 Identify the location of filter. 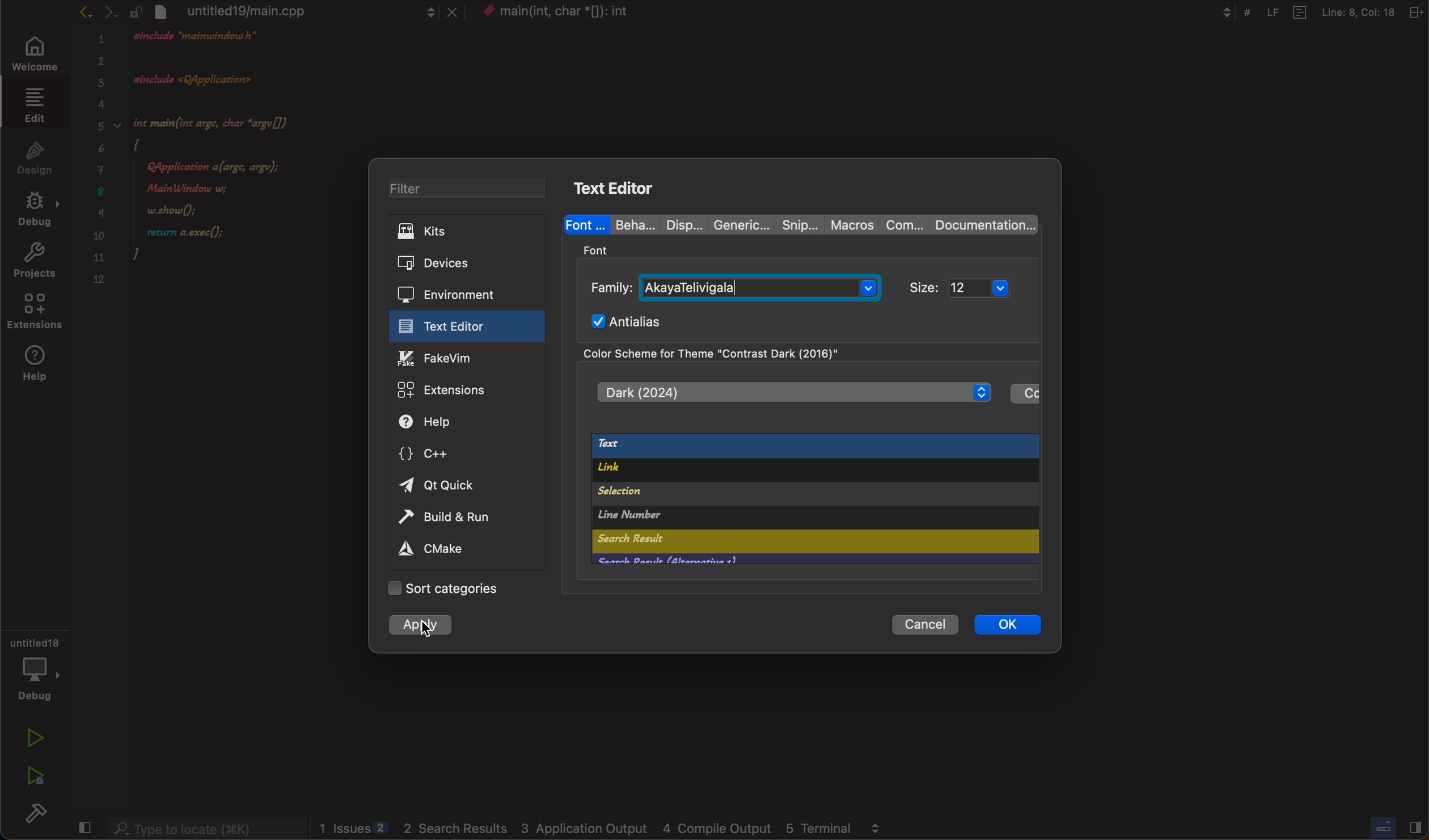
(469, 188).